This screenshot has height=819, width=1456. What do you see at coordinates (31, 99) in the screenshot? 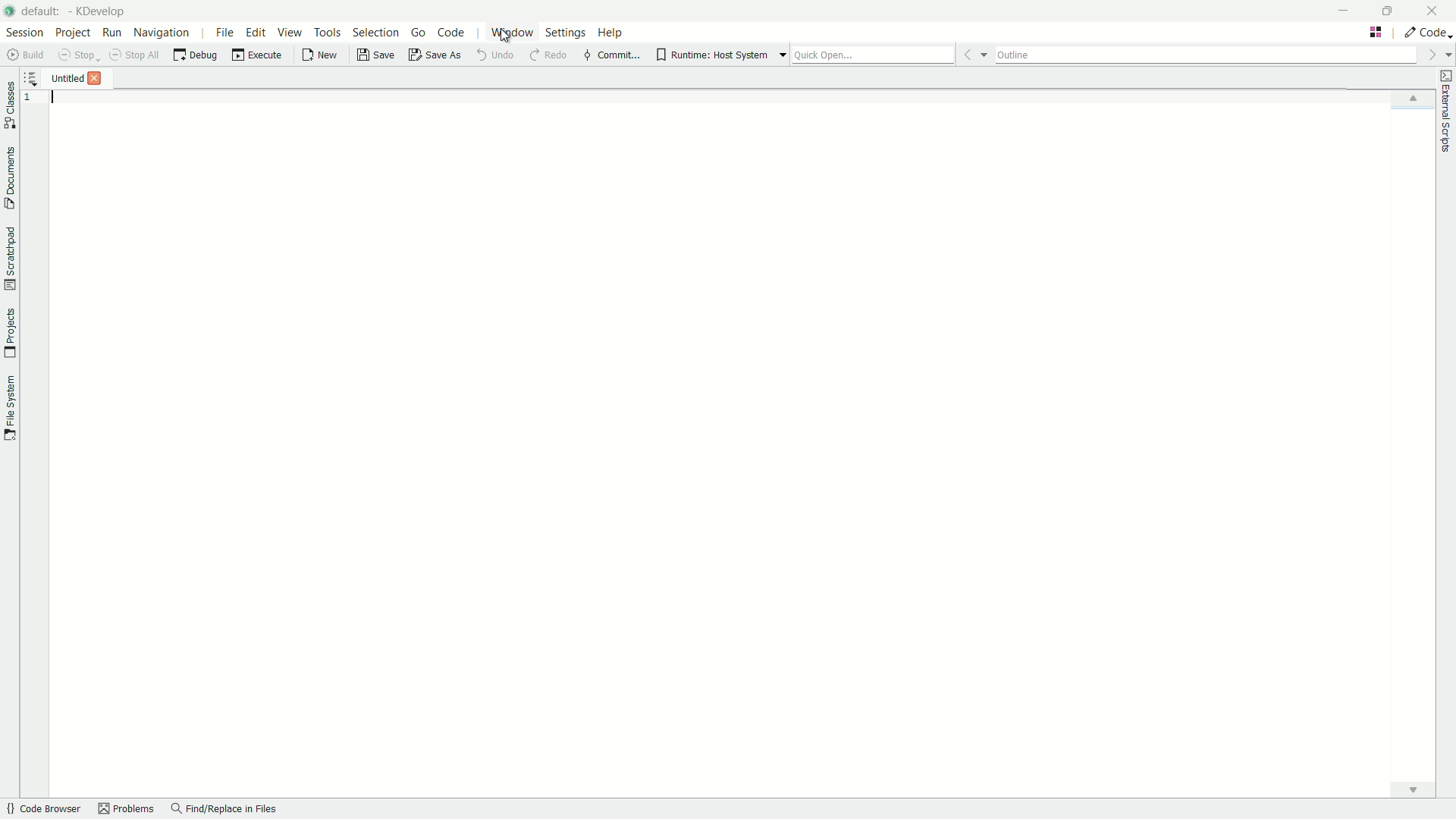
I see `line number` at bounding box center [31, 99].